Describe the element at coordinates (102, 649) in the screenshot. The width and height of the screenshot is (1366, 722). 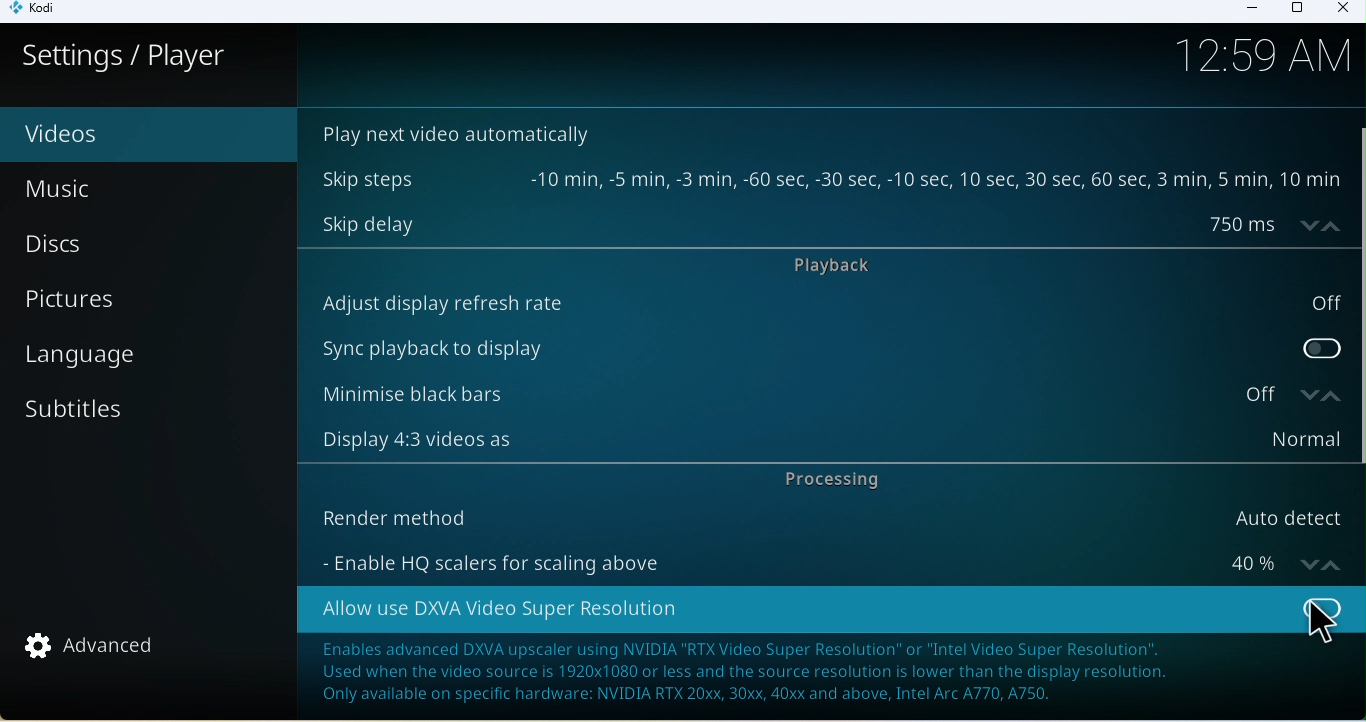
I see `Advanced` at that location.